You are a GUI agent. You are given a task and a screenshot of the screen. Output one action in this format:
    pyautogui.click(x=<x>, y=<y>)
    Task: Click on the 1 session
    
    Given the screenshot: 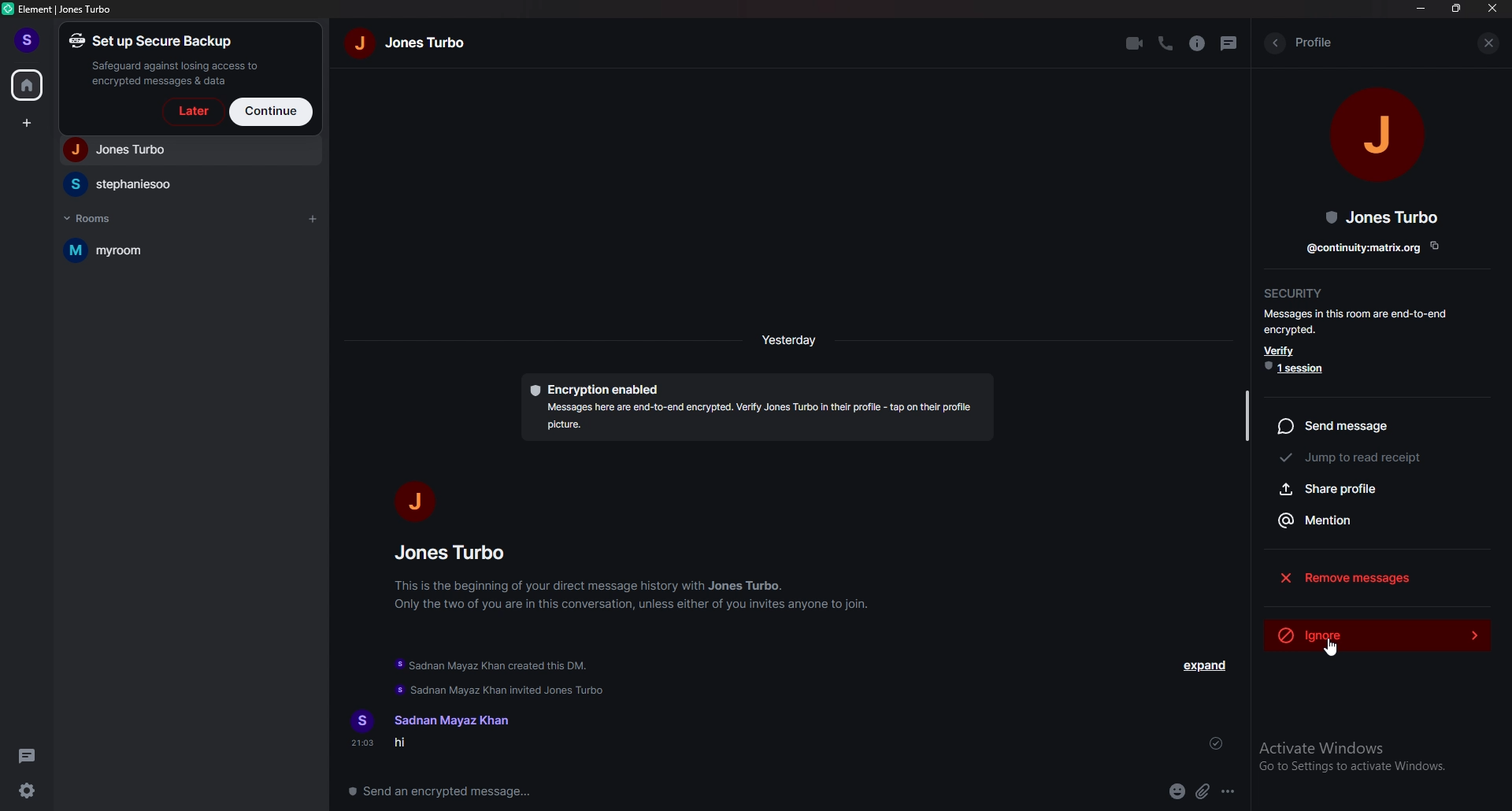 What is the action you would take?
    pyautogui.click(x=1299, y=368)
    